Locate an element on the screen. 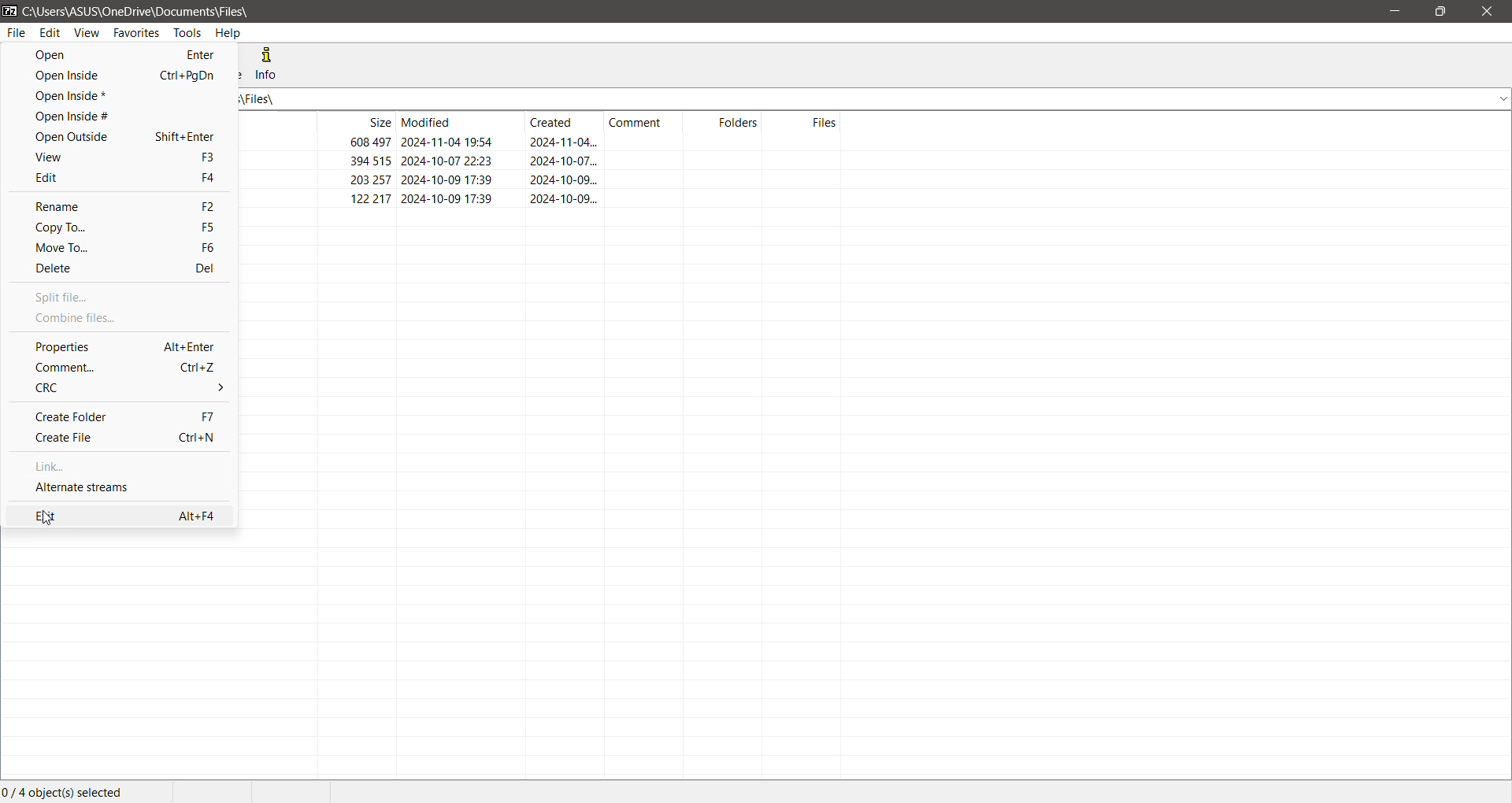 The image size is (1512, 803). 122217 is located at coordinates (366, 200).